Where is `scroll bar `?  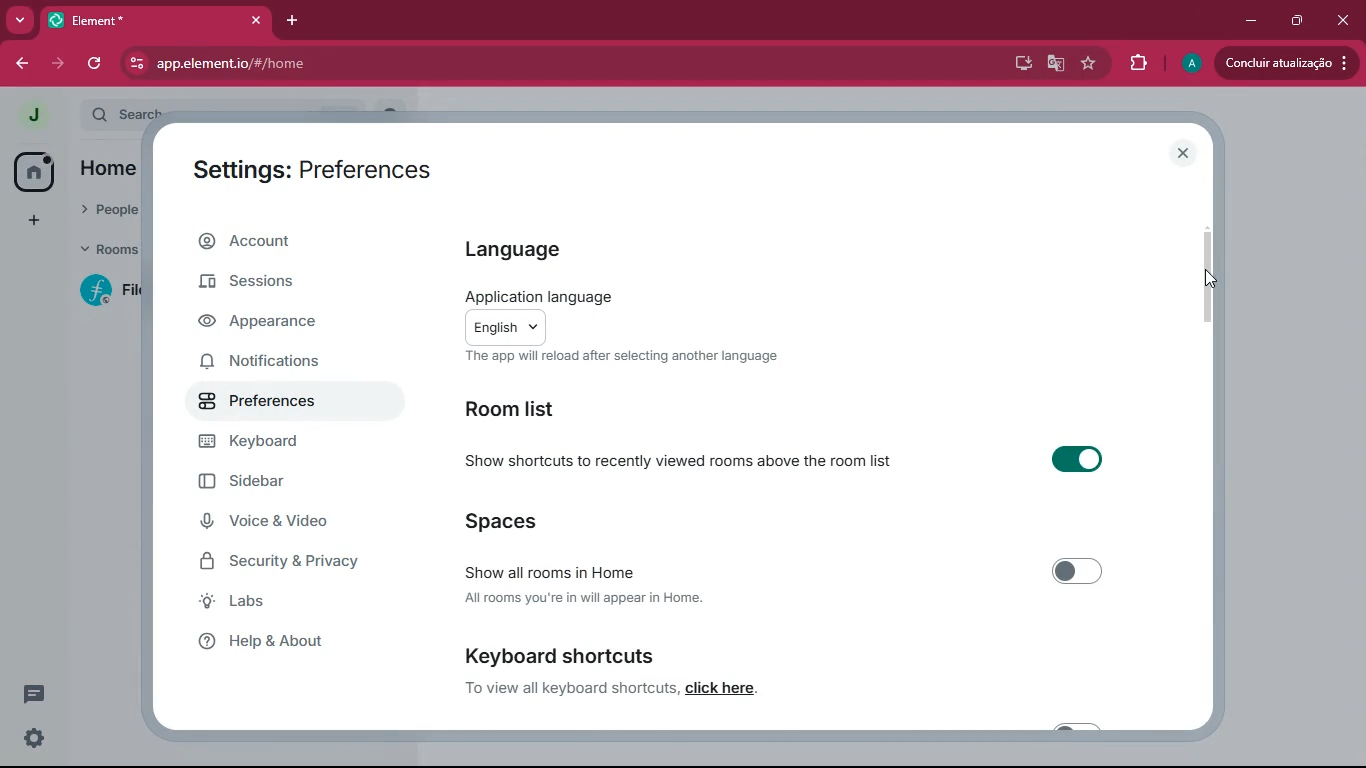
scroll bar  is located at coordinates (1216, 271).